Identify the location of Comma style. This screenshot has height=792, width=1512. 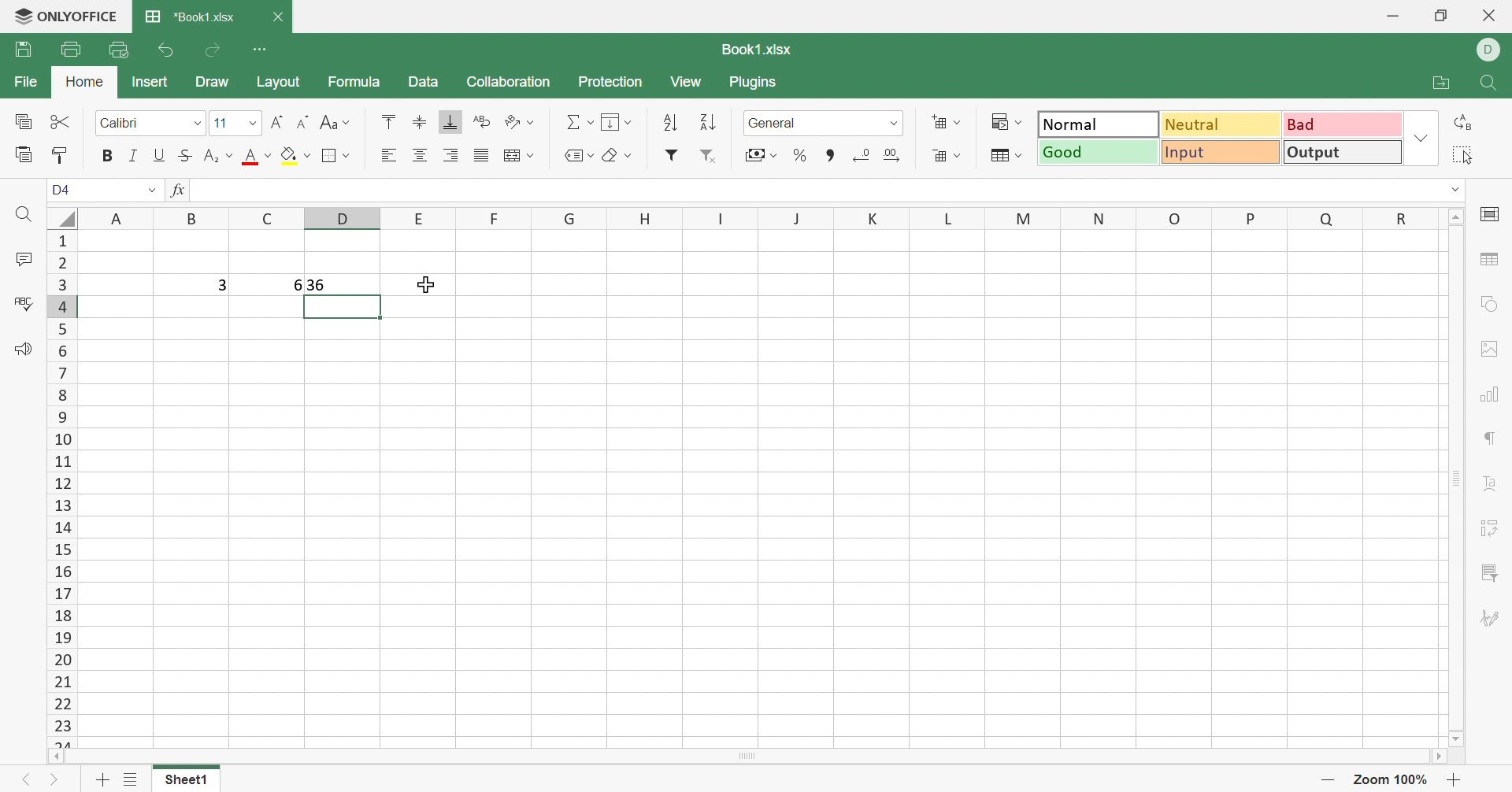
(829, 154).